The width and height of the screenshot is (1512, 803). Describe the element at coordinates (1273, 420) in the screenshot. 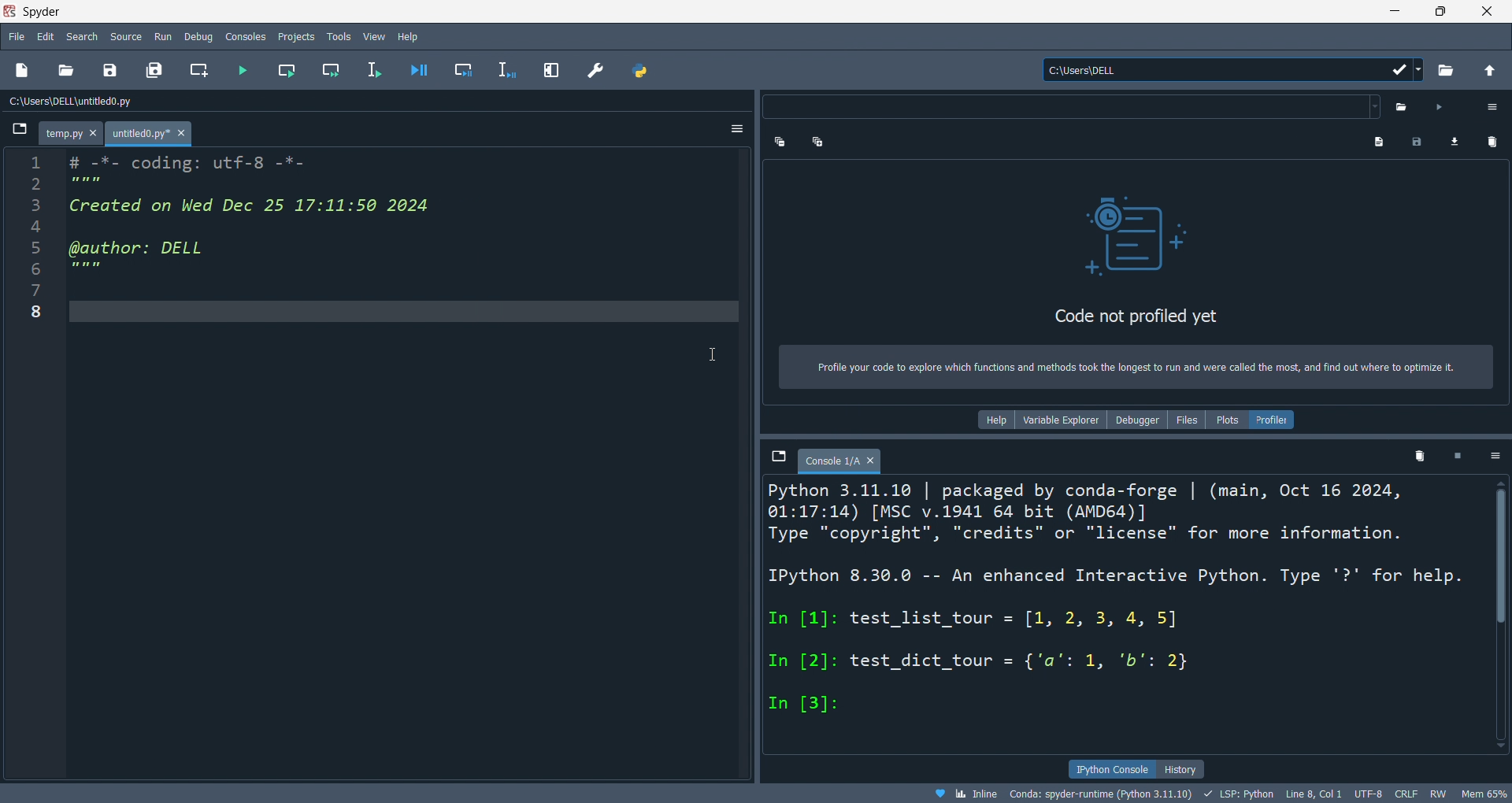

I see `profile` at that location.